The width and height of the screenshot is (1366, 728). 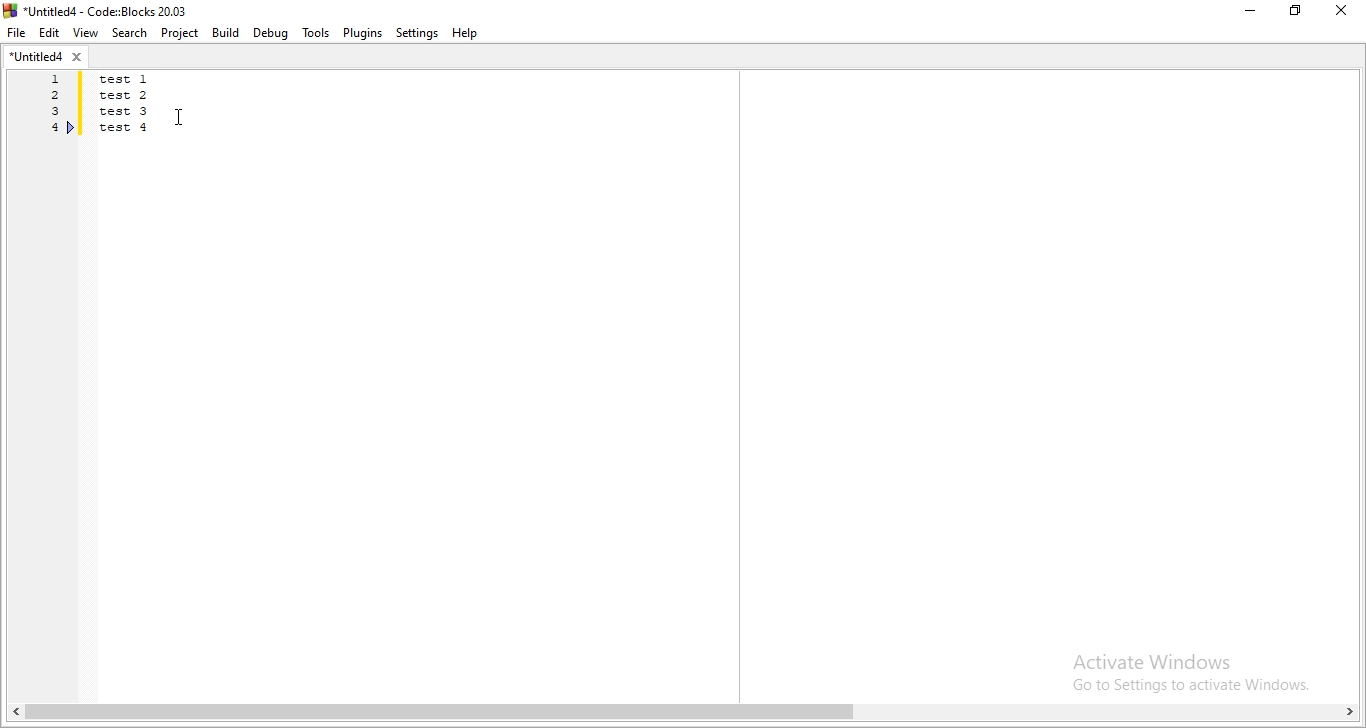 What do you see at coordinates (469, 34) in the screenshot?
I see `Help` at bounding box center [469, 34].